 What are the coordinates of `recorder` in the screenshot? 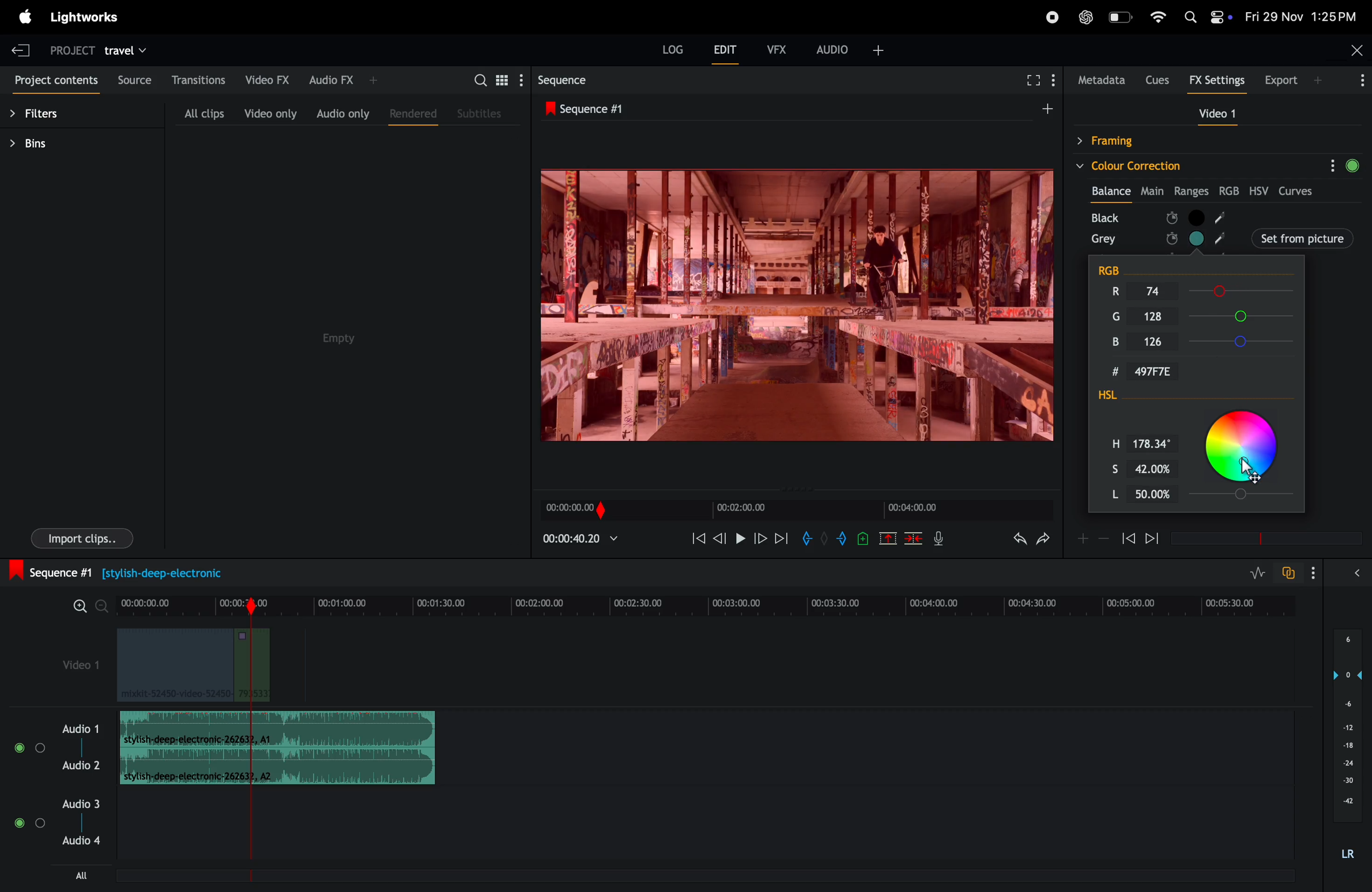 It's located at (1051, 18).